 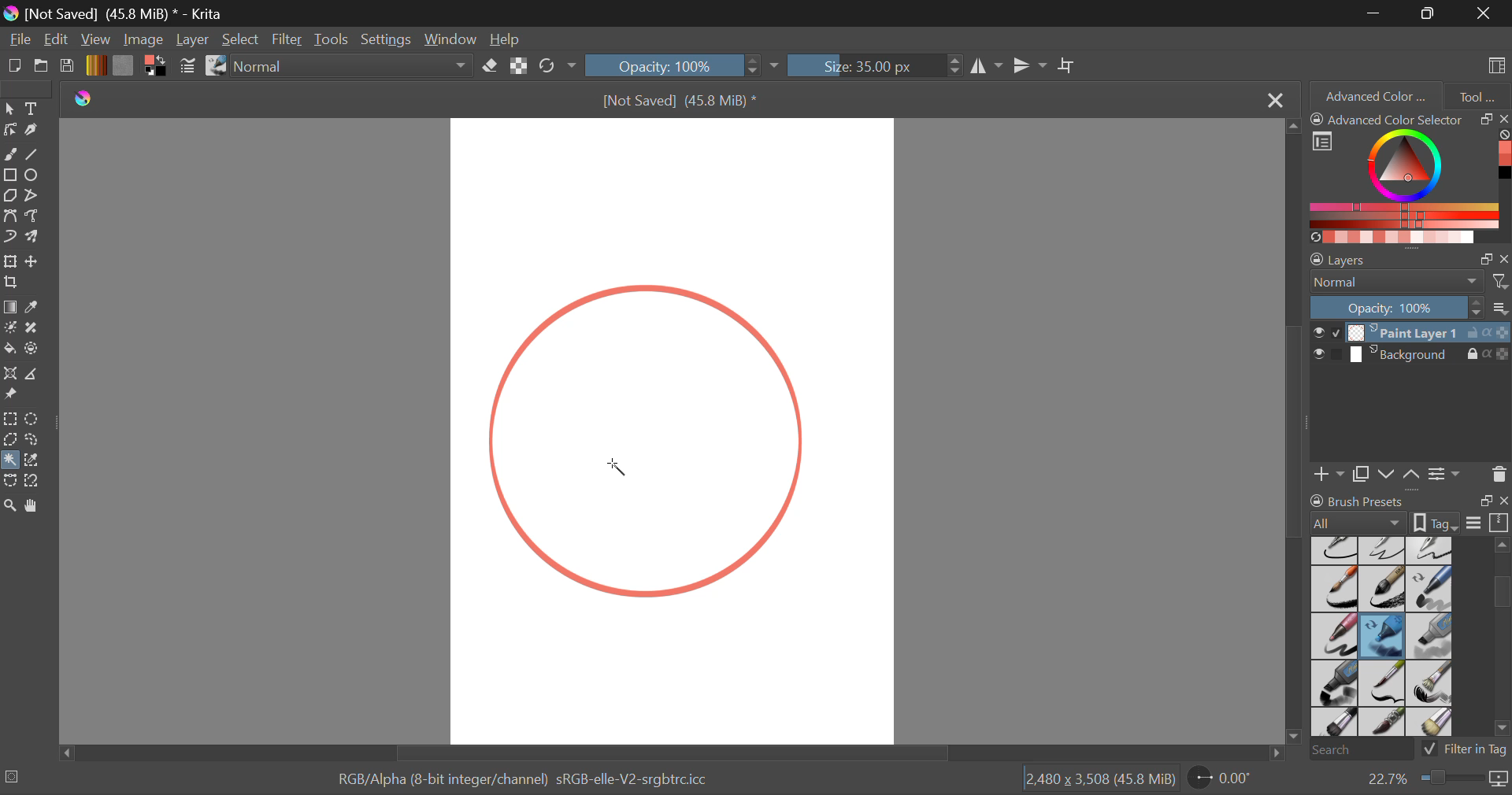 I want to click on Paint Layer 1, so click(x=1411, y=331).